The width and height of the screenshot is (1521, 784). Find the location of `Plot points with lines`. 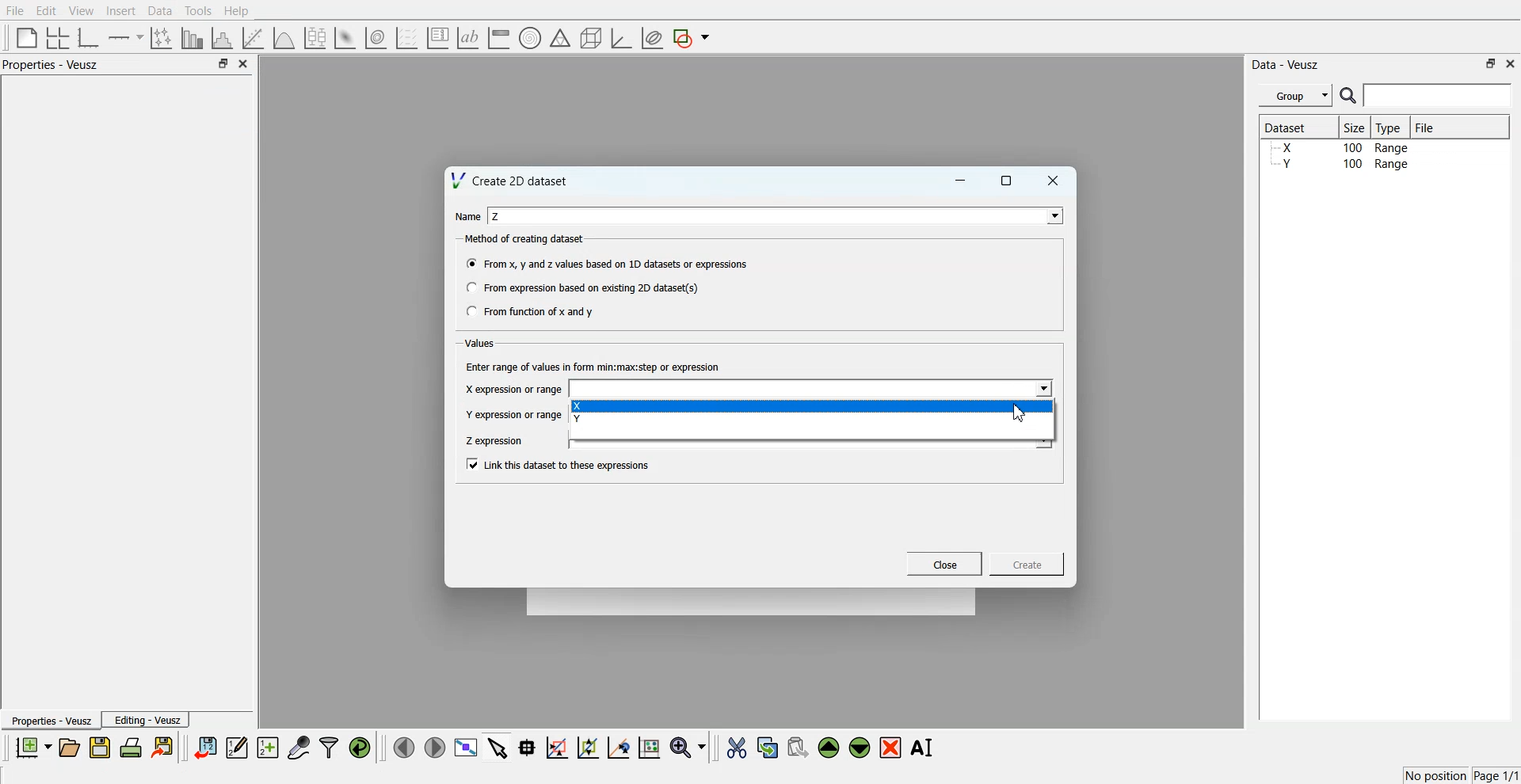

Plot points with lines is located at coordinates (162, 38).